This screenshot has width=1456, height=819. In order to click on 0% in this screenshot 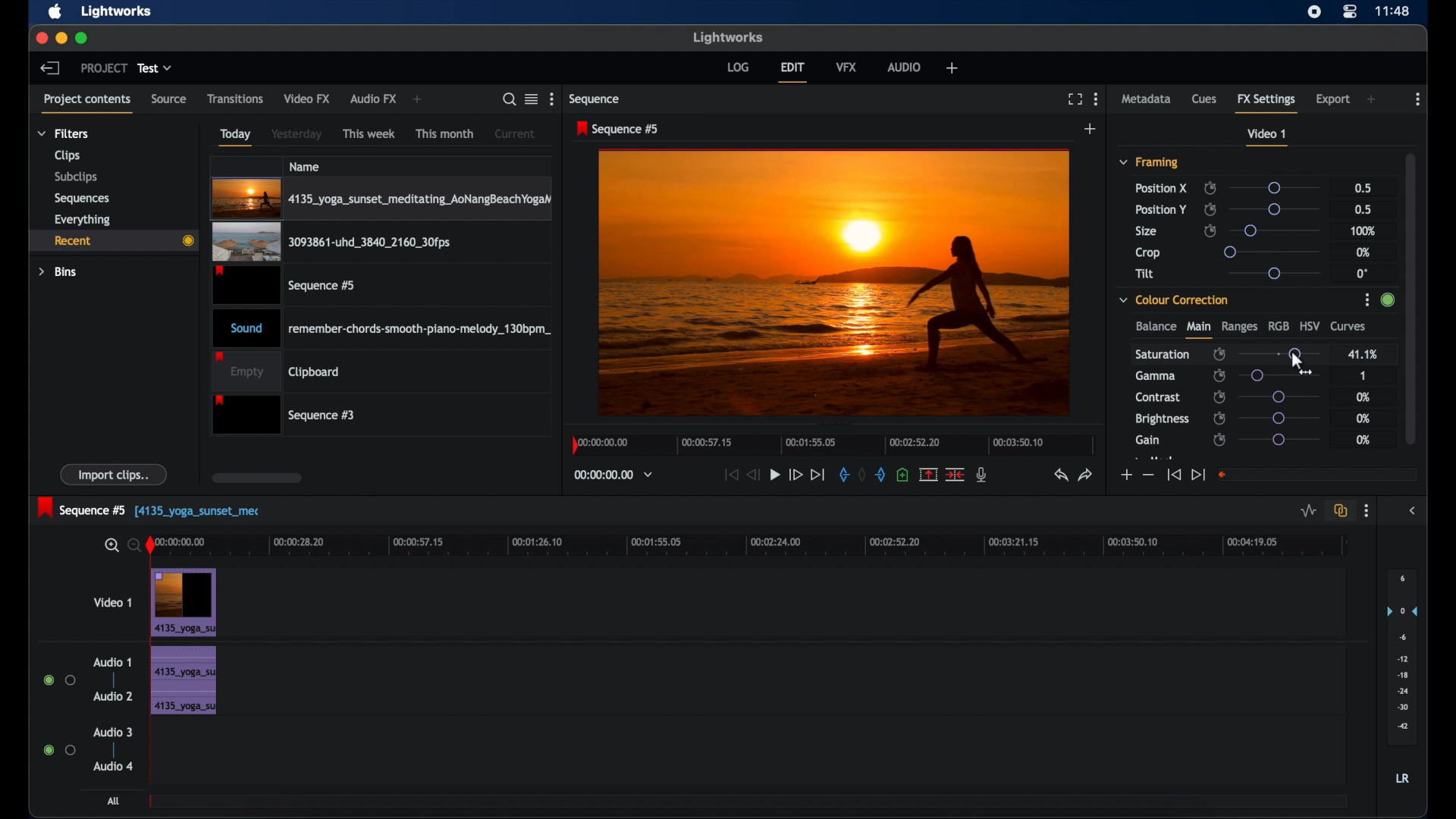, I will do `click(1363, 440)`.